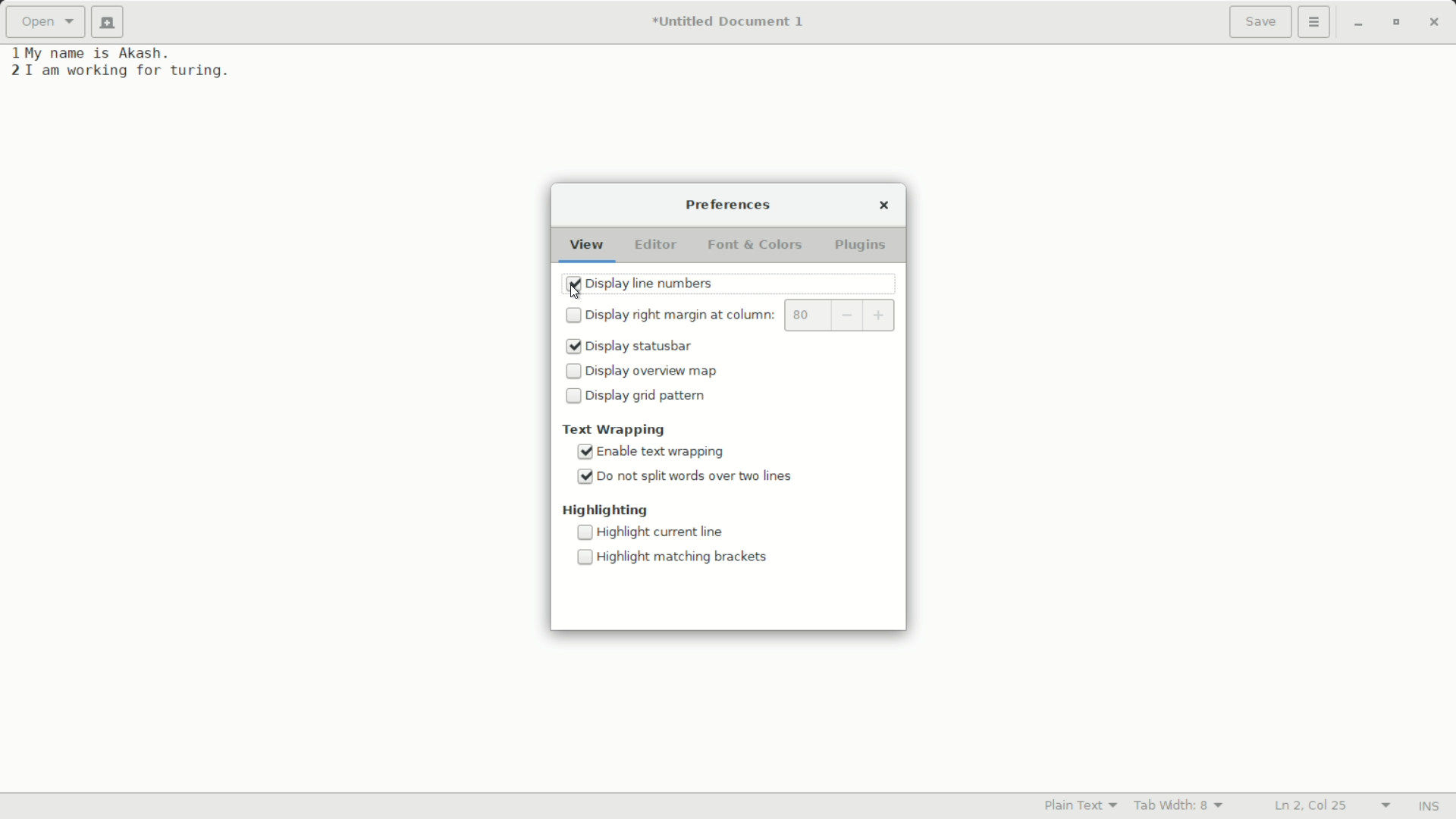 The height and width of the screenshot is (819, 1456). What do you see at coordinates (1358, 24) in the screenshot?
I see `minimize` at bounding box center [1358, 24].